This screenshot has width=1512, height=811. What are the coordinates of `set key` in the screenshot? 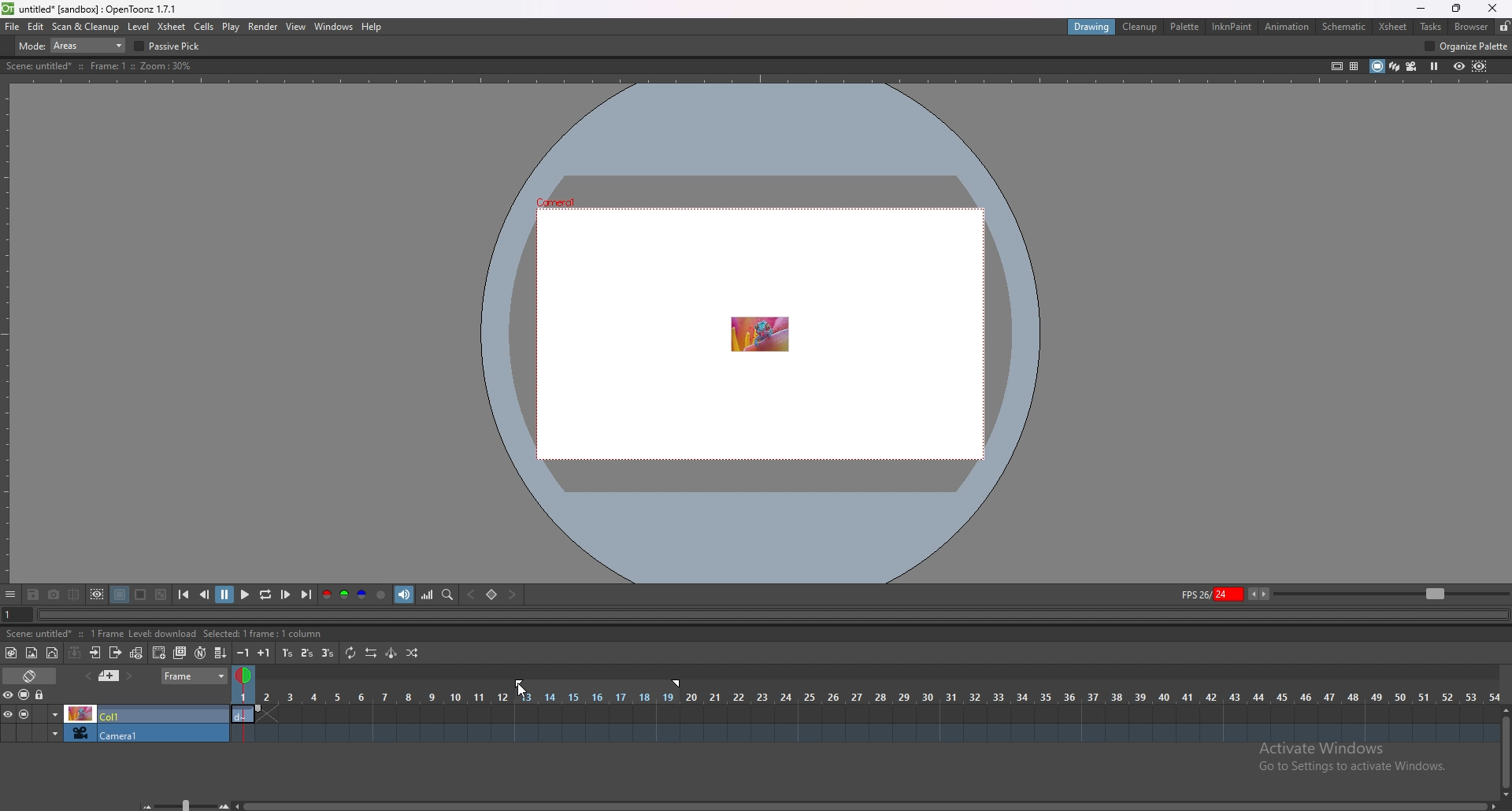 It's located at (493, 594).